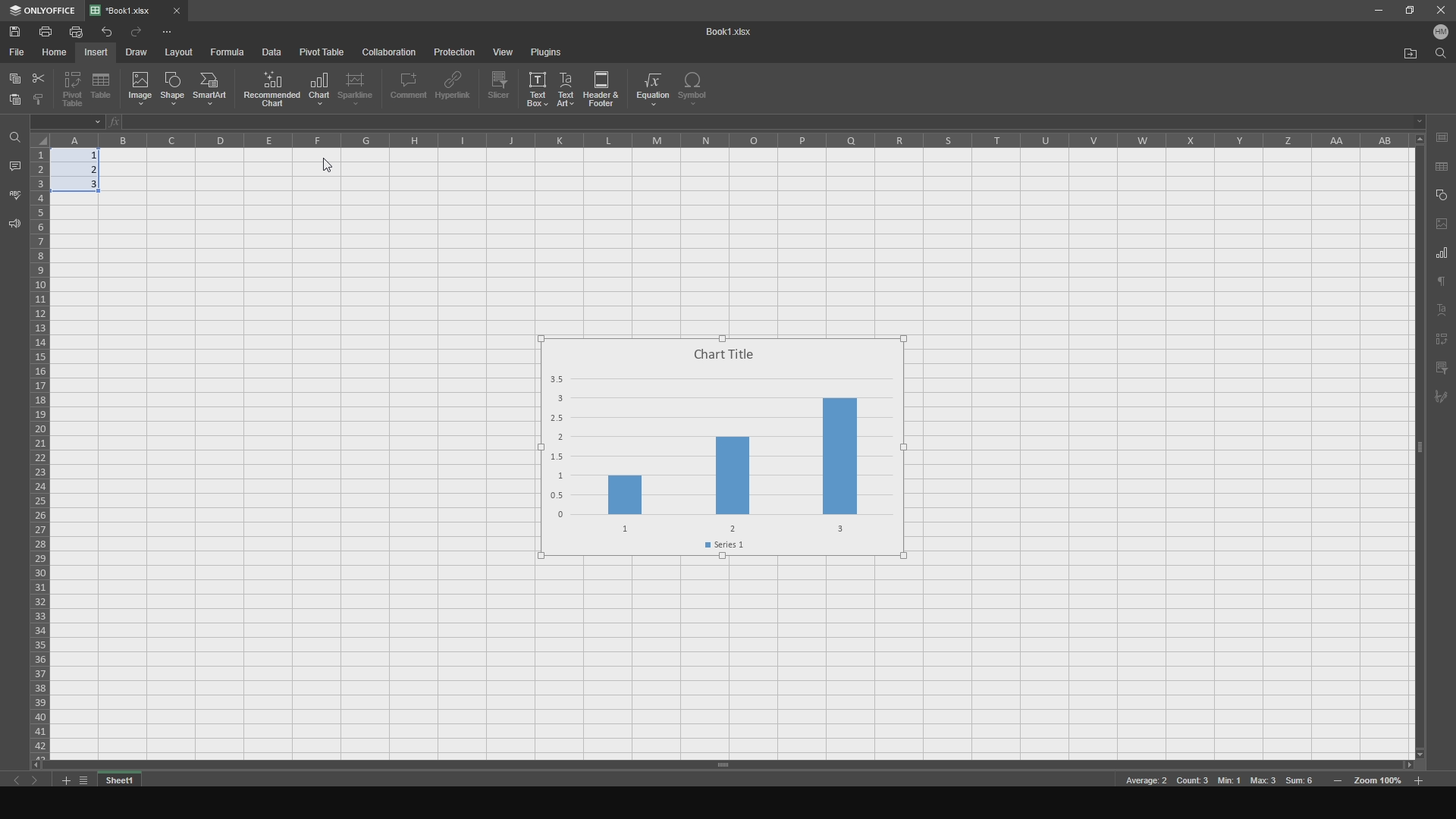  What do you see at coordinates (68, 121) in the screenshot?
I see `cell` at bounding box center [68, 121].